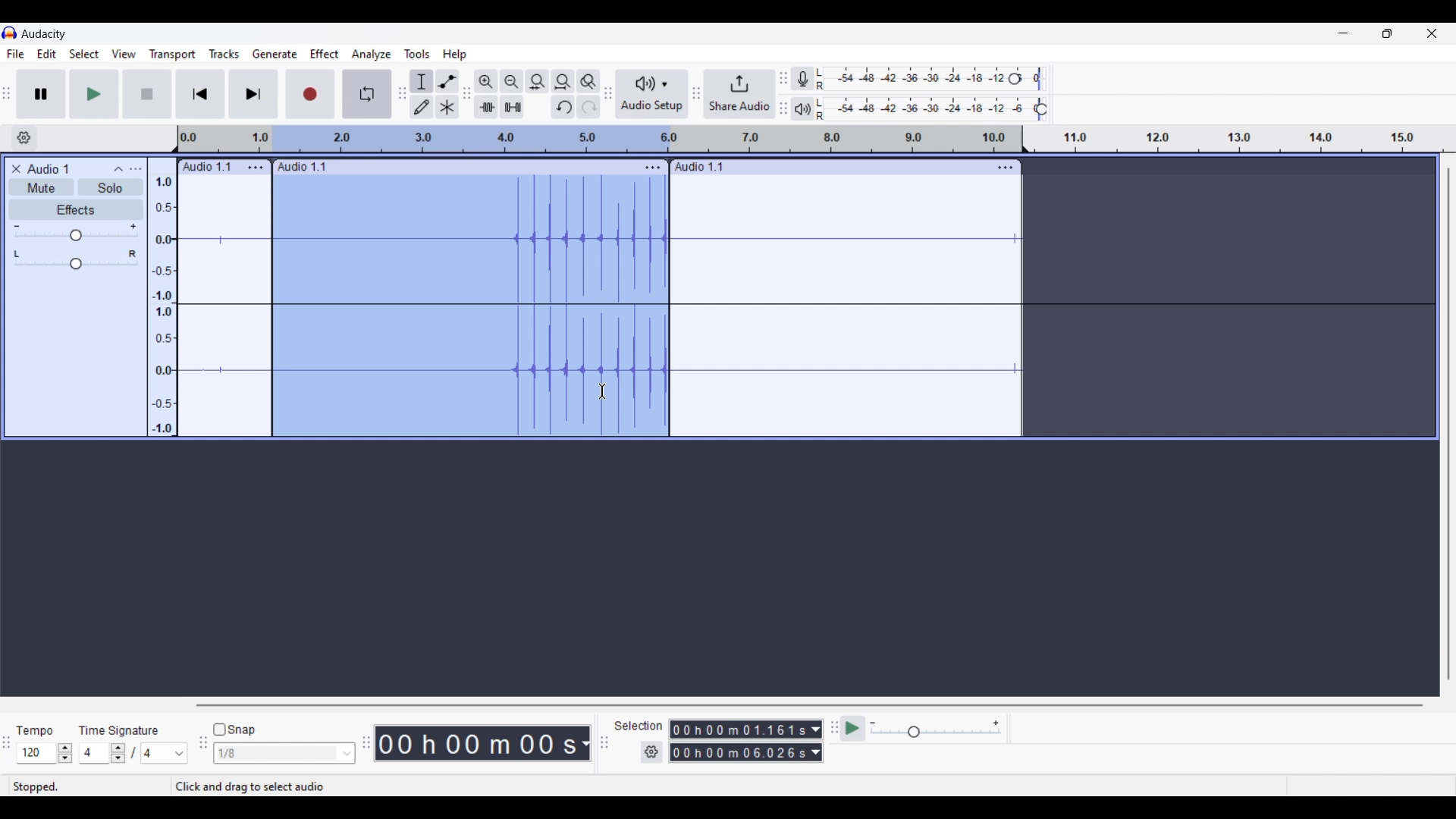  What do you see at coordinates (588, 107) in the screenshot?
I see `Redo` at bounding box center [588, 107].